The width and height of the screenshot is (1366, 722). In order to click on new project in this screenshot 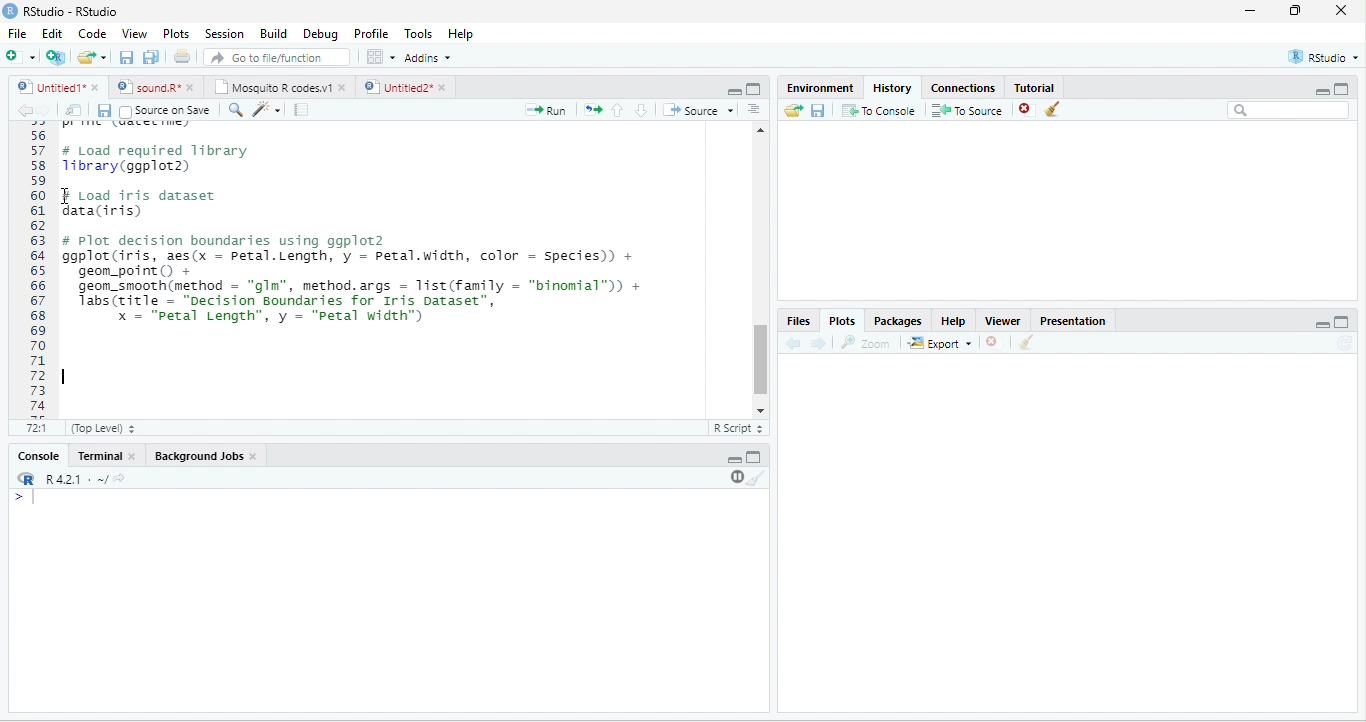, I will do `click(56, 58)`.